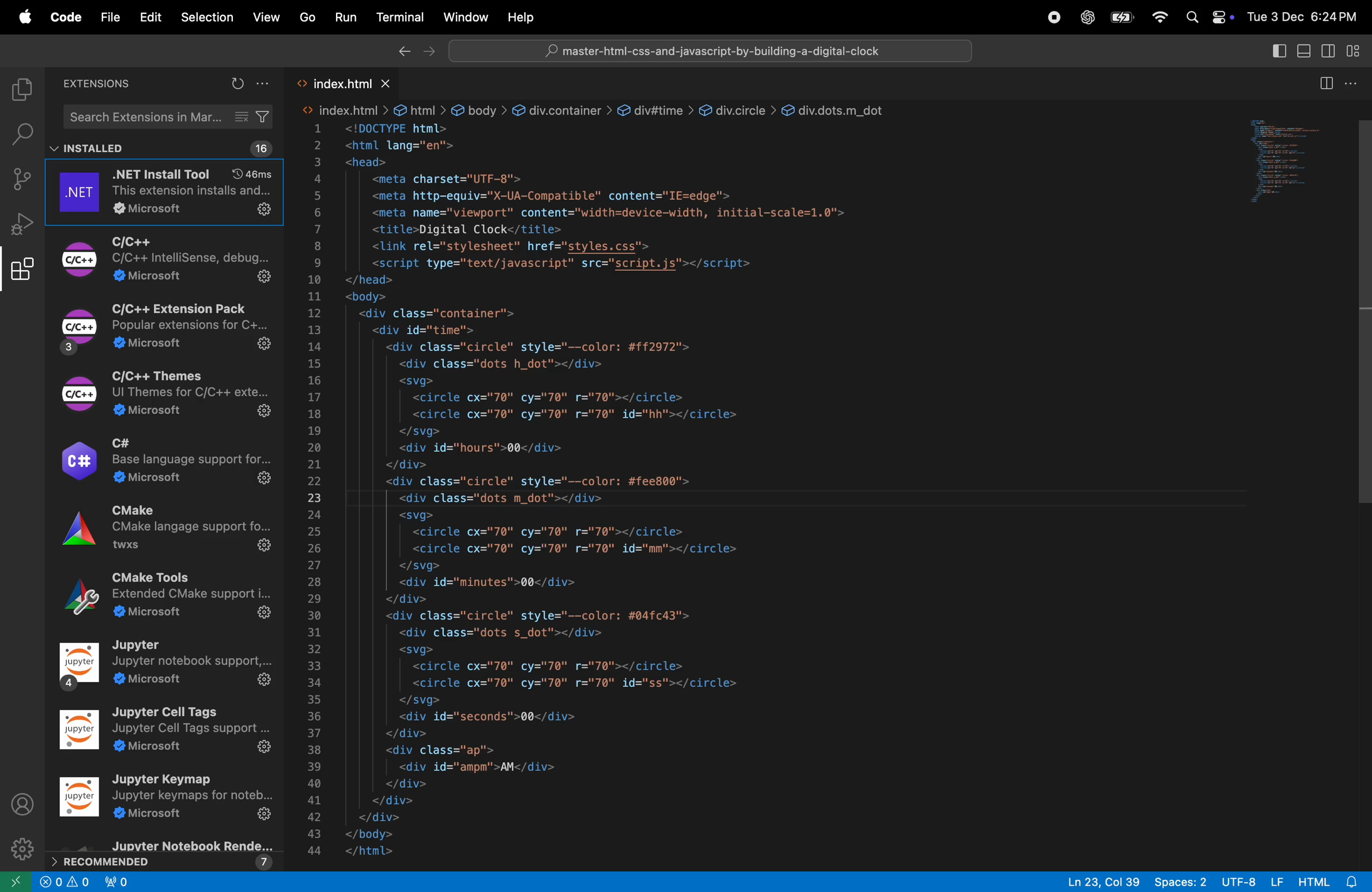 The image size is (1372, 892). Describe the element at coordinates (164, 861) in the screenshot. I see `reccomended` at that location.